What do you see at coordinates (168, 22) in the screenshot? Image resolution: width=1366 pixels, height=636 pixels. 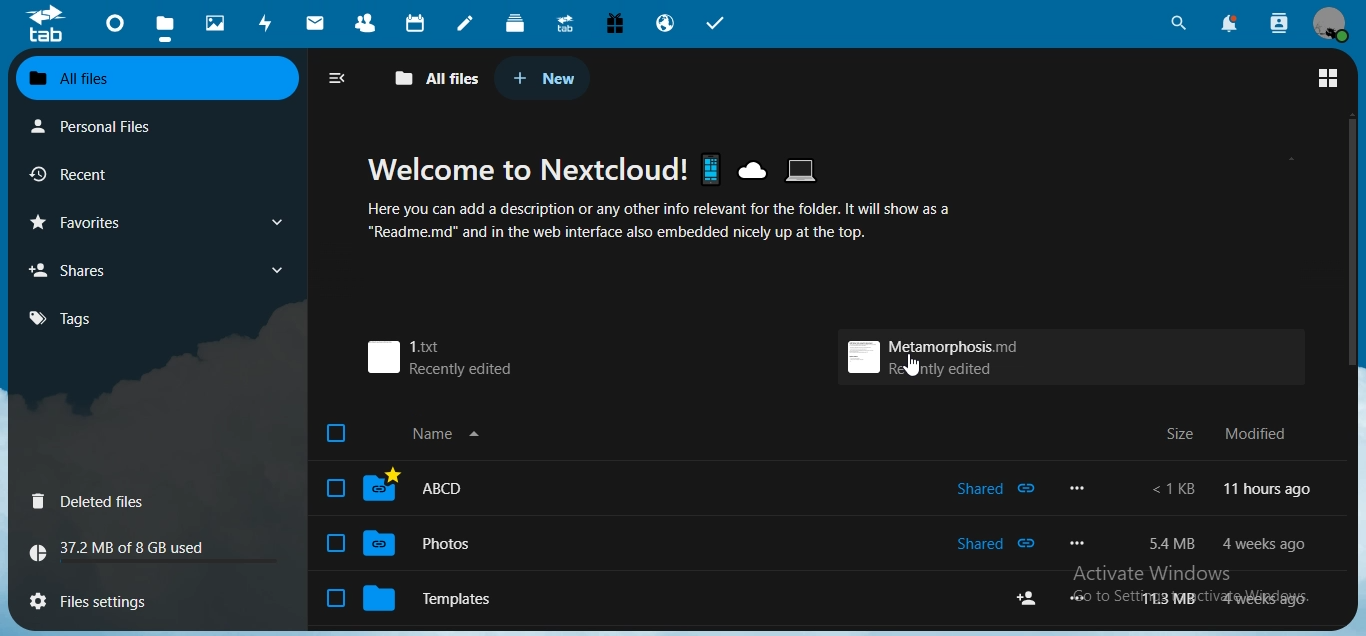 I see `files` at bounding box center [168, 22].